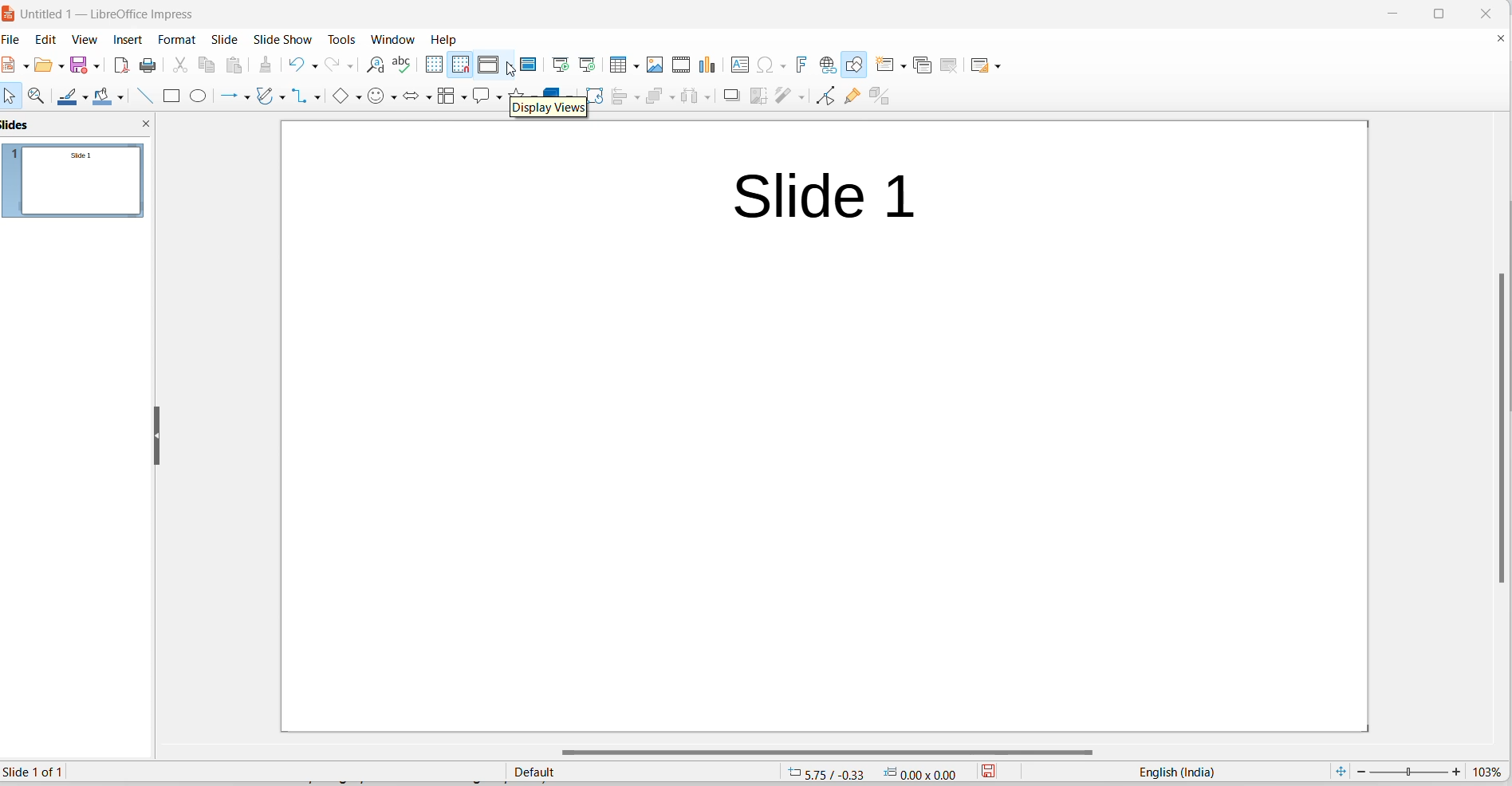 Image resolution: width=1512 pixels, height=786 pixels. What do you see at coordinates (12, 65) in the screenshot?
I see `file` at bounding box center [12, 65].